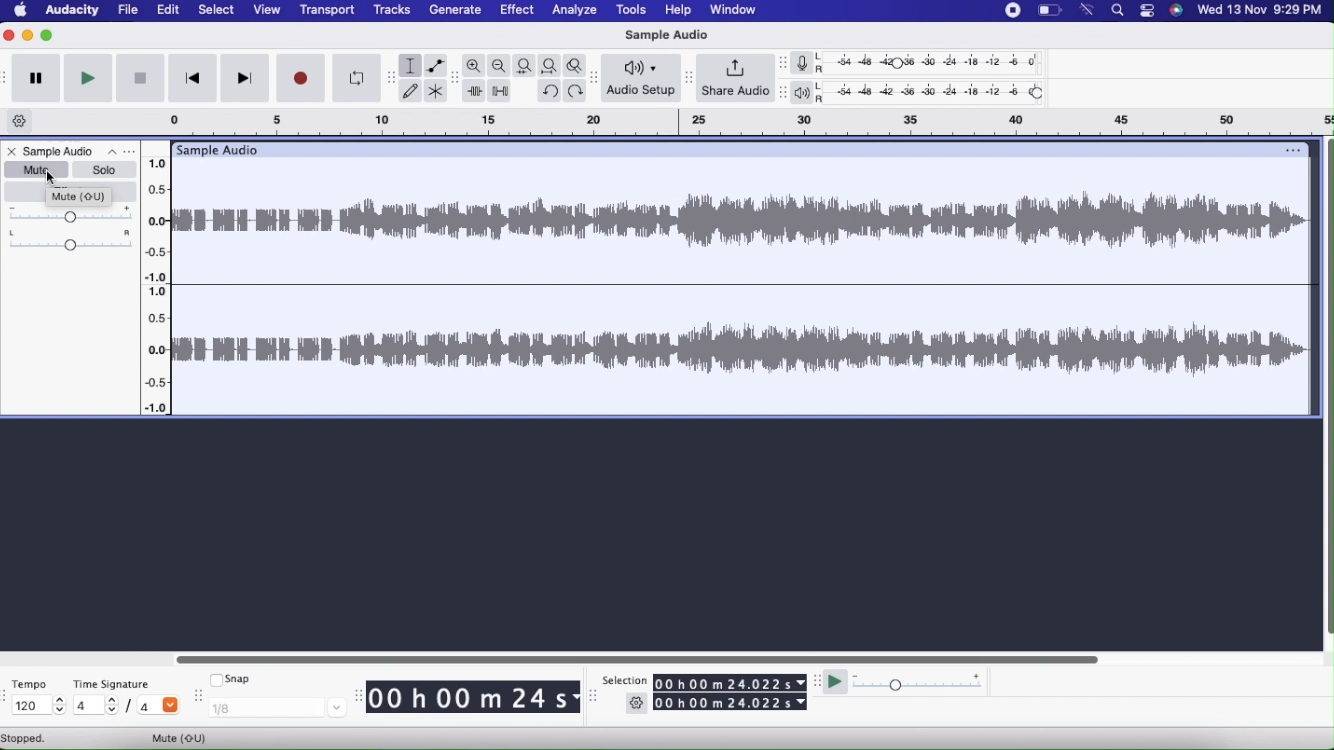 The image size is (1334, 750). What do you see at coordinates (27, 36) in the screenshot?
I see `Maximize` at bounding box center [27, 36].